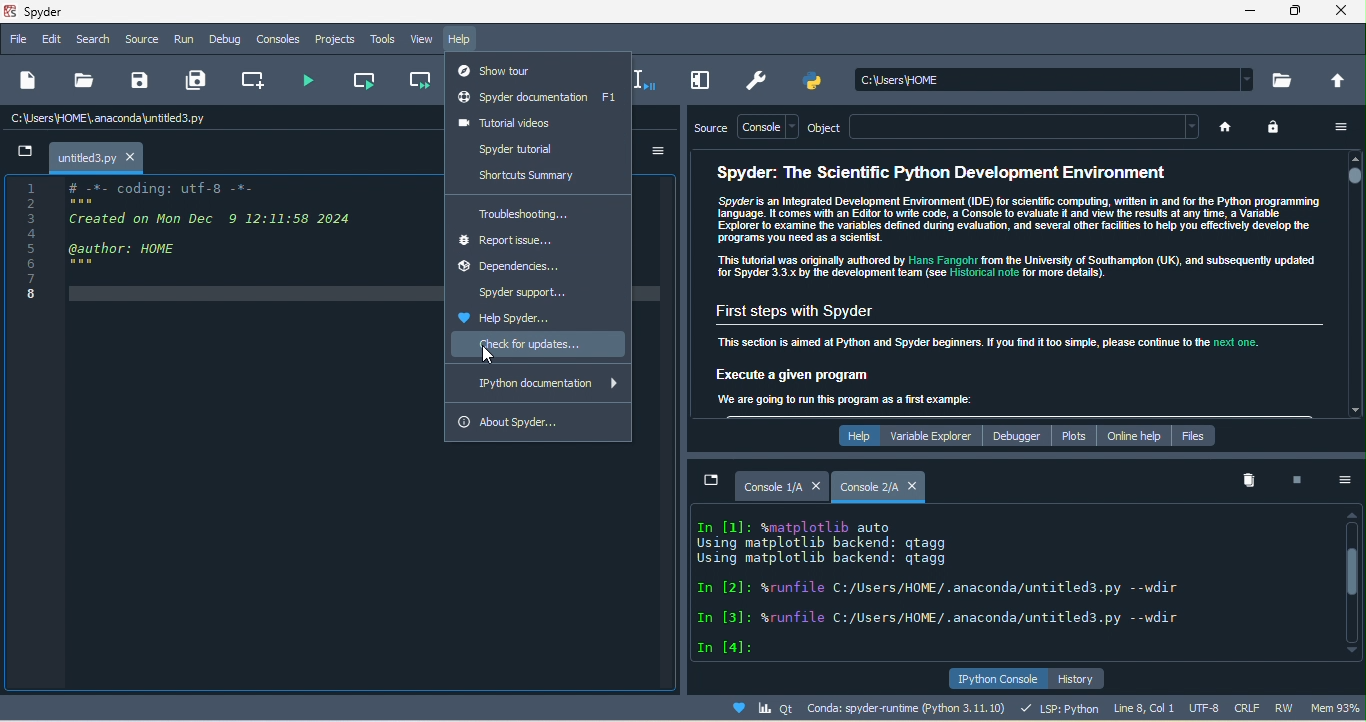  What do you see at coordinates (695, 81) in the screenshot?
I see `maximize current pane` at bounding box center [695, 81].